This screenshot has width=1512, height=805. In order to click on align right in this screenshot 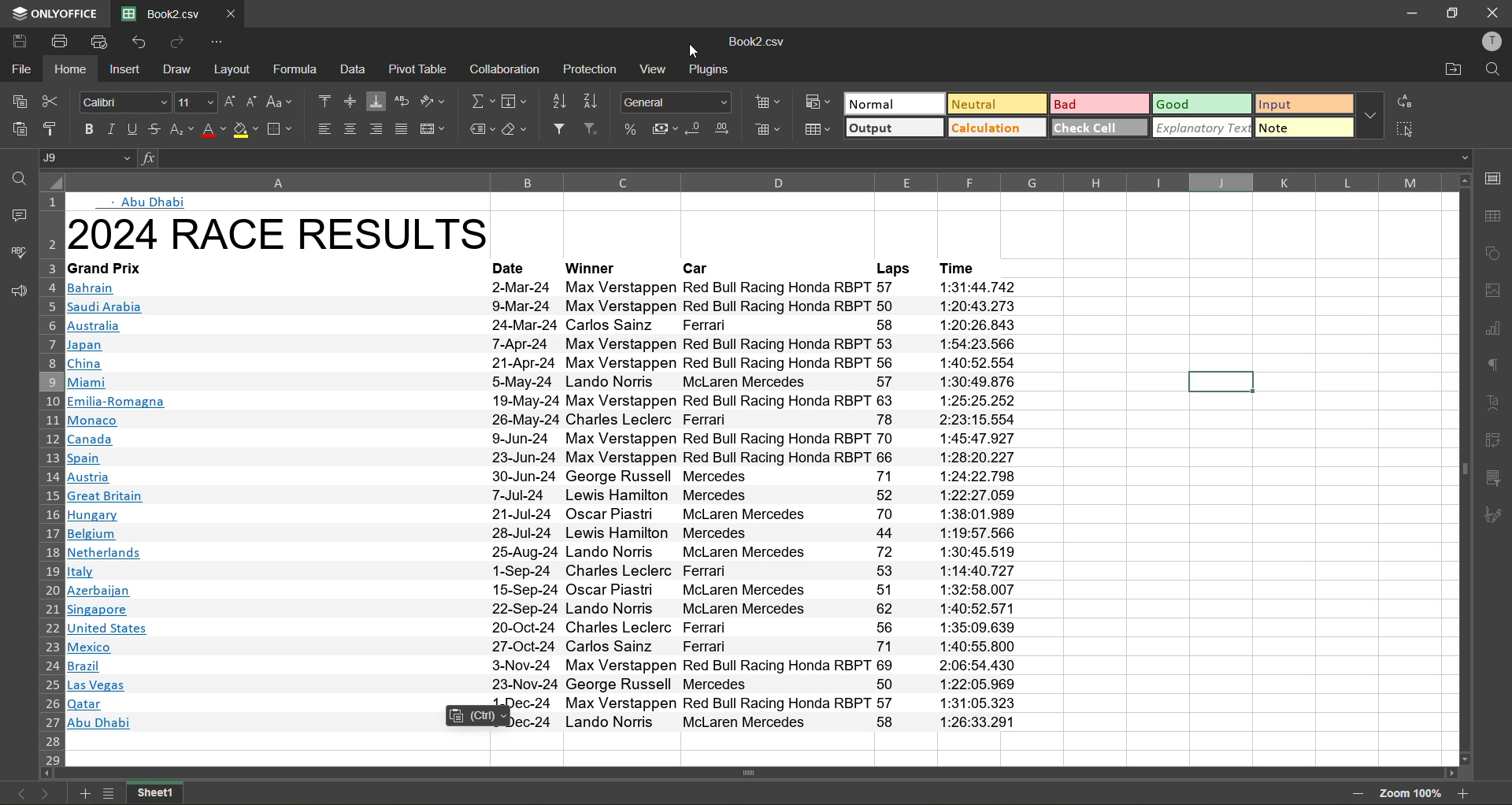, I will do `click(377, 130)`.